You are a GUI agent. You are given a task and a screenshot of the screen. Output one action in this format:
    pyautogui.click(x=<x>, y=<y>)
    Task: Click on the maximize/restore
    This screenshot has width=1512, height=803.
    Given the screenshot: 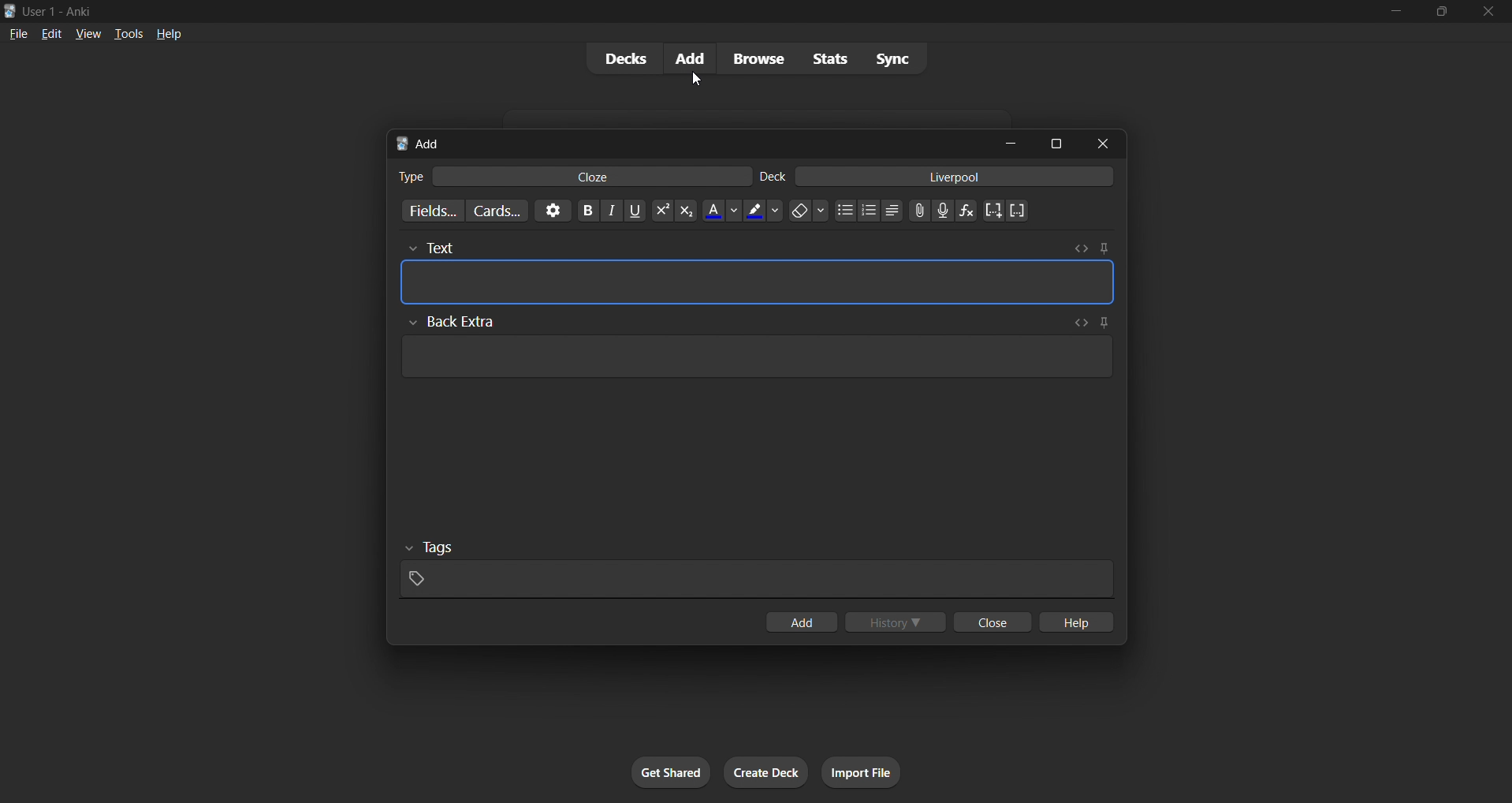 What is the action you would take?
    pyautogui.click(x=1441, y=14)
    